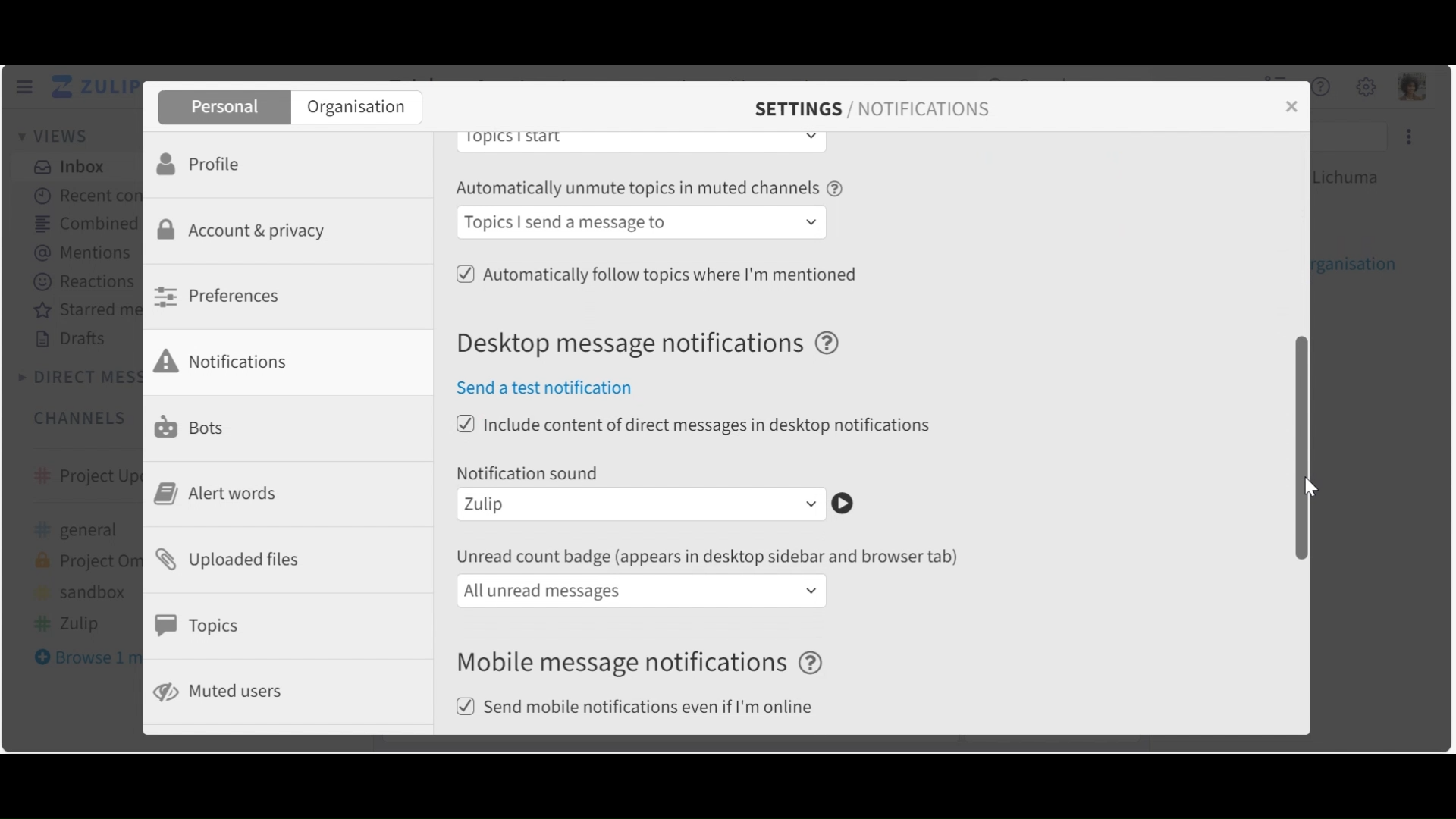 The height and width of the screenshot is (819, 1456). Describe the element at coordinates (202, 626) in the screenshot. I see `Topics` at that location.